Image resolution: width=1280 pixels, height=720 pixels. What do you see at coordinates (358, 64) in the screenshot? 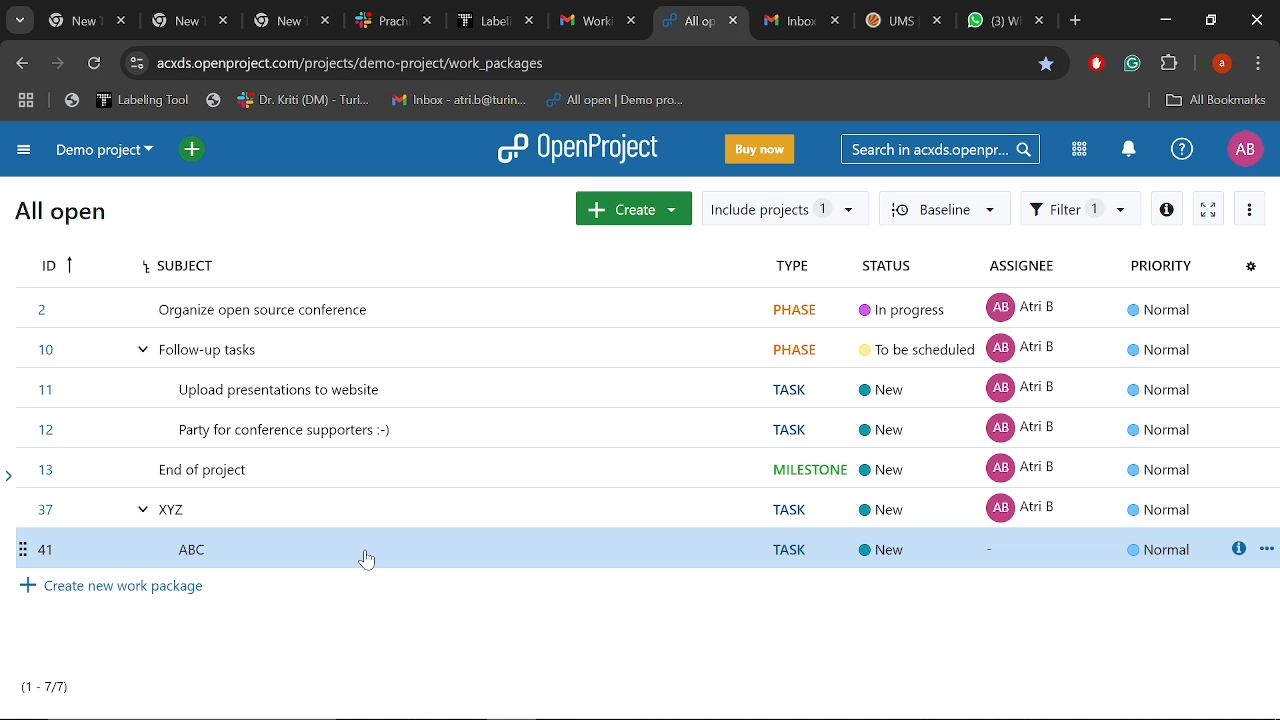
I see `Cite address` at bounding box center [358, 64].